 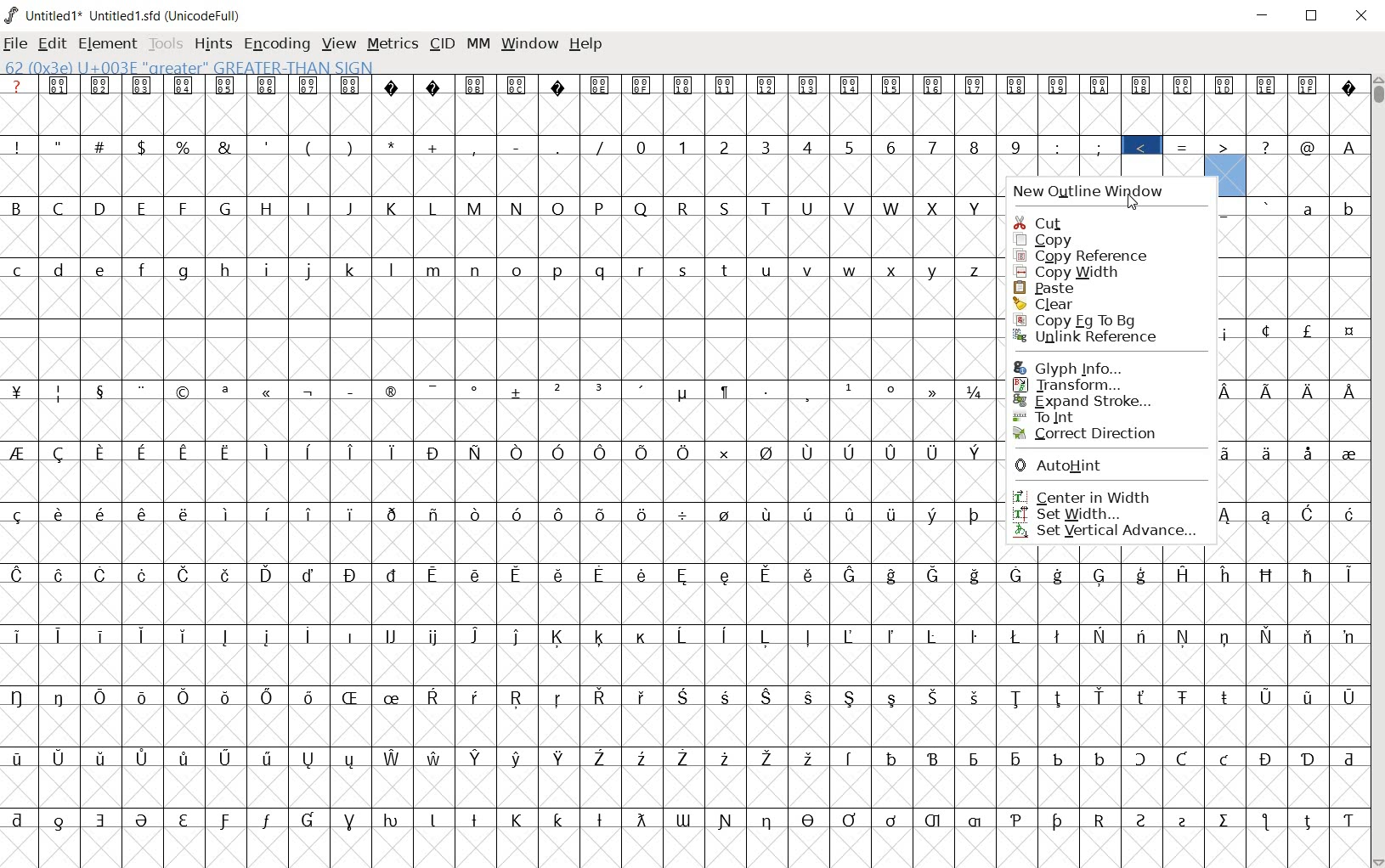 What do you see at coordinates (585, 44) in the screenshot?
I see `help` at bounding box center [585, 44].